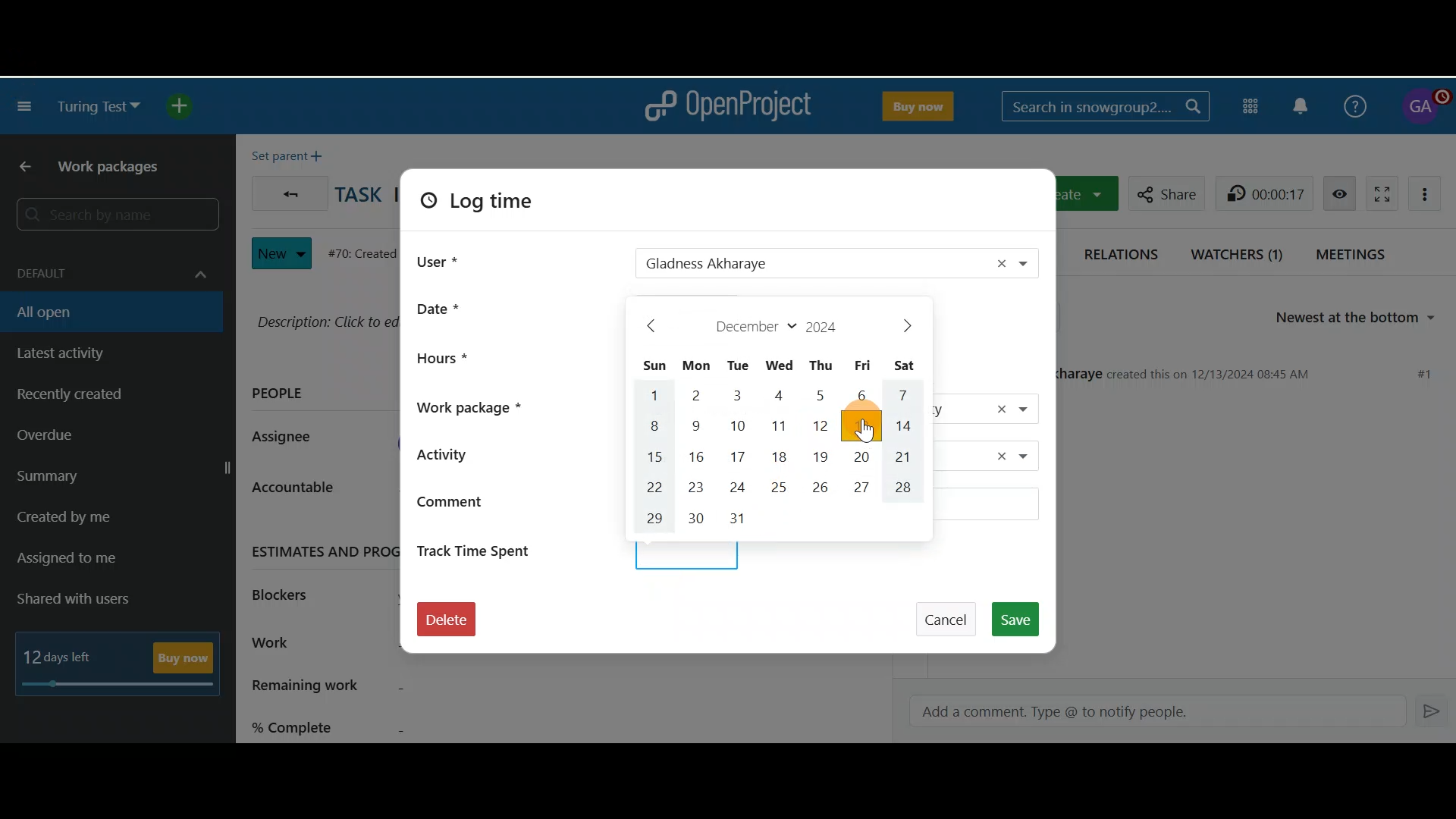 The width and height of the screenshot is (1456, 819). What do you see at coordinates (788, 265) in the screenshot?
I see `Gladness Akharaye` at bounding box center [788, 265].